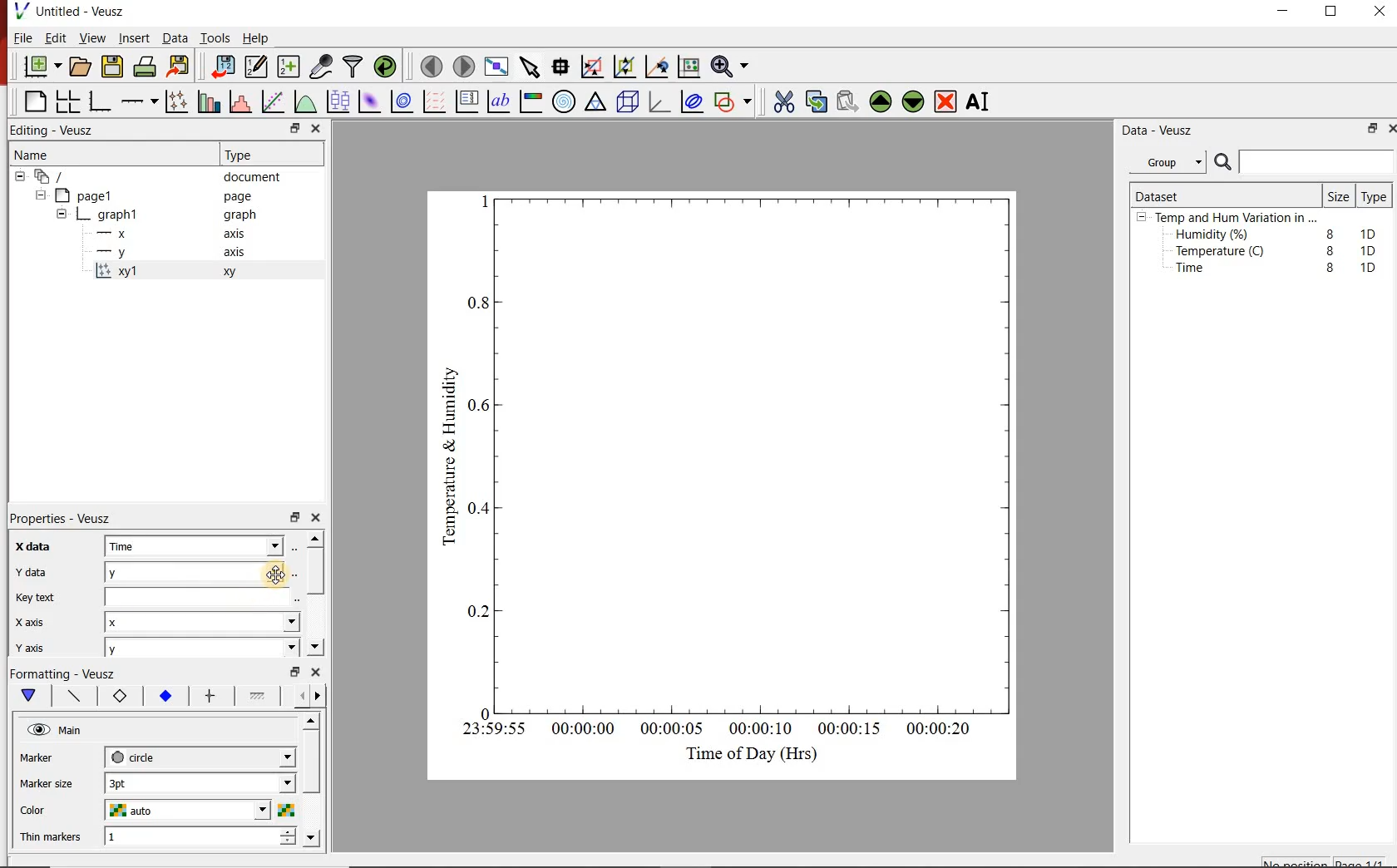 The image size is (1397, 868). Describe the element at coordinates (75, 697) in the screenshot. I see `plot line` at that location.